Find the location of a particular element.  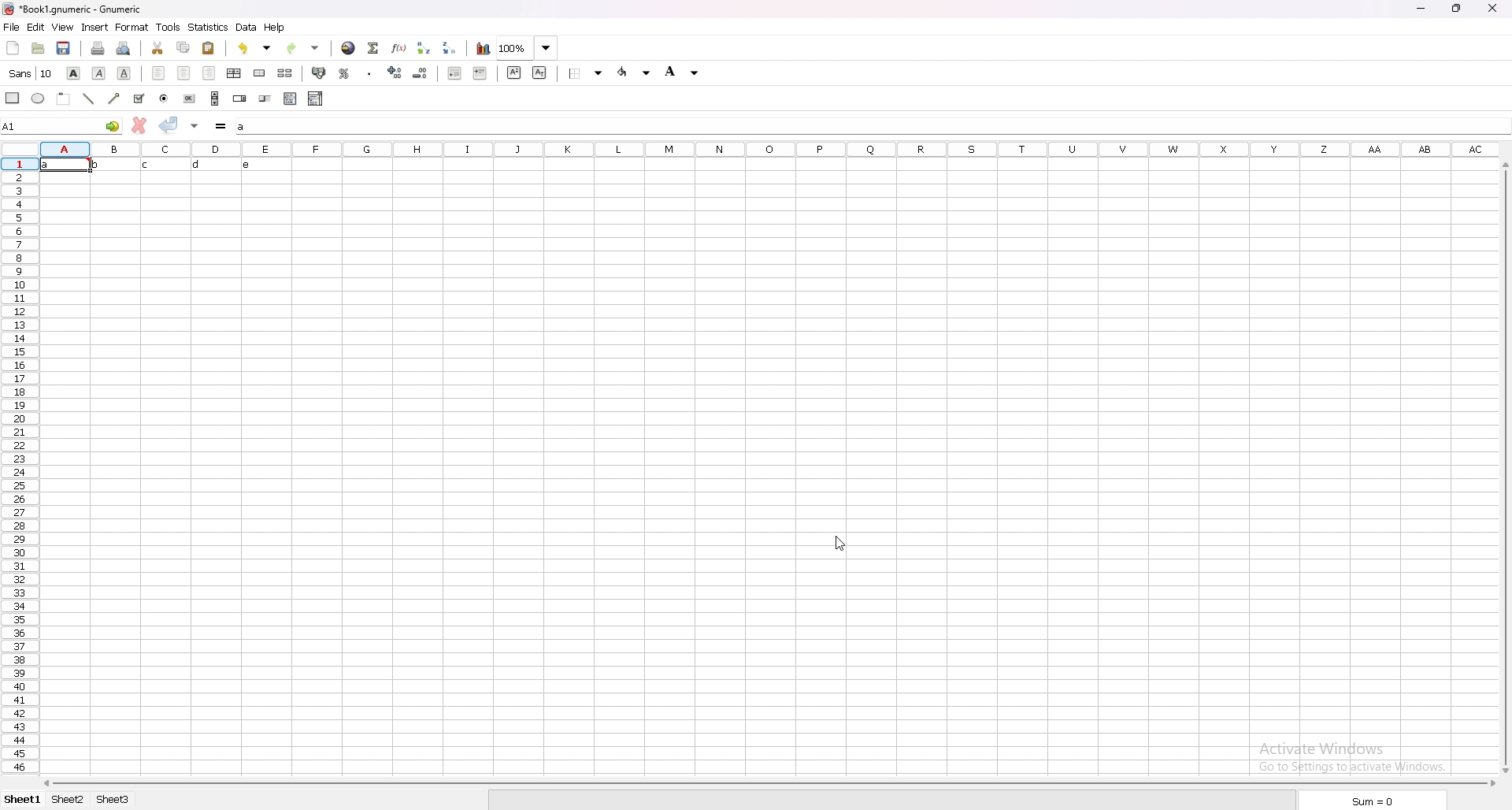

text is located at coordinates (149, 165).